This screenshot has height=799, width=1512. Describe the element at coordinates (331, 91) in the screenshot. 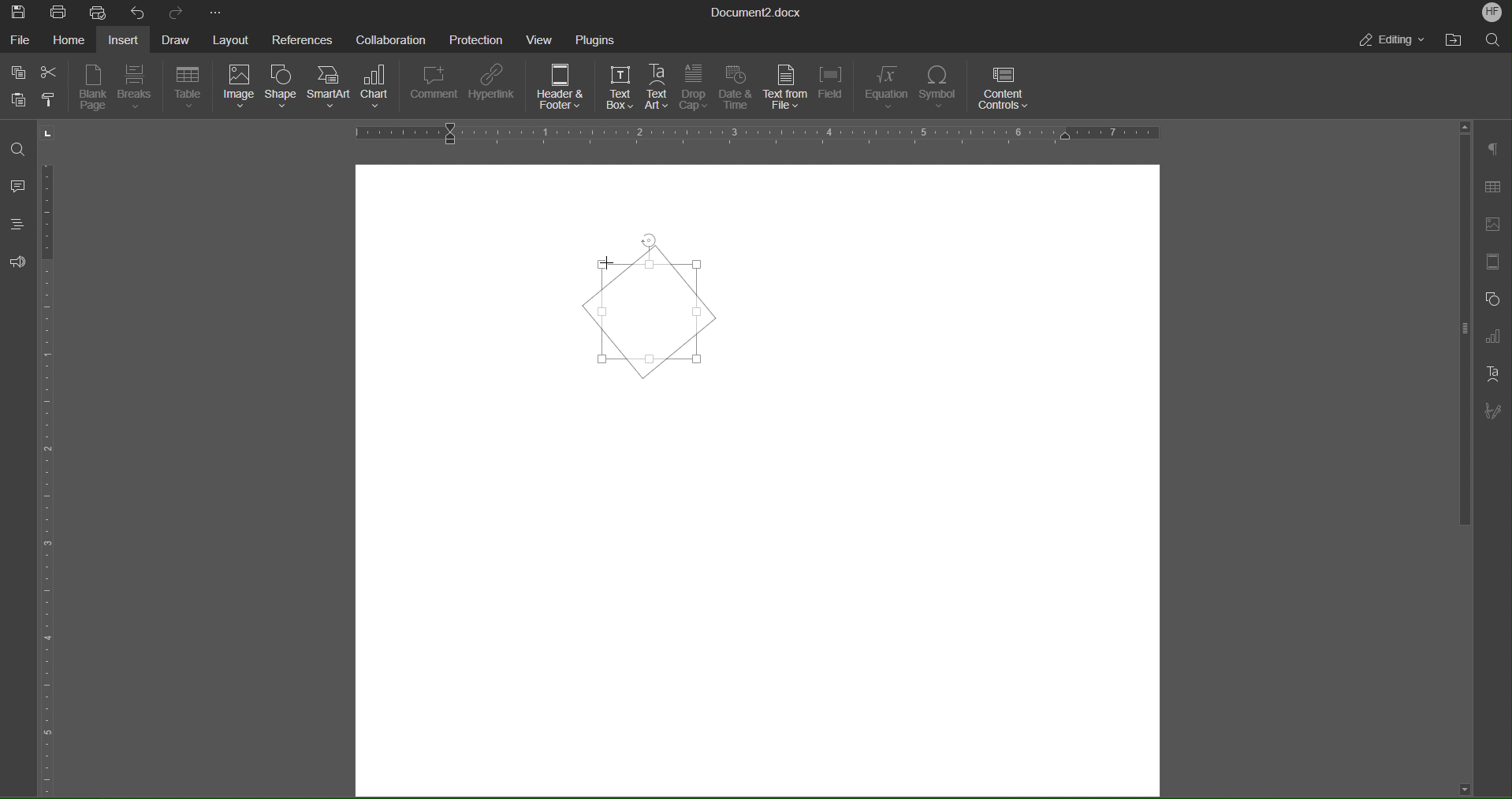

I see `SmartArt` at that location.